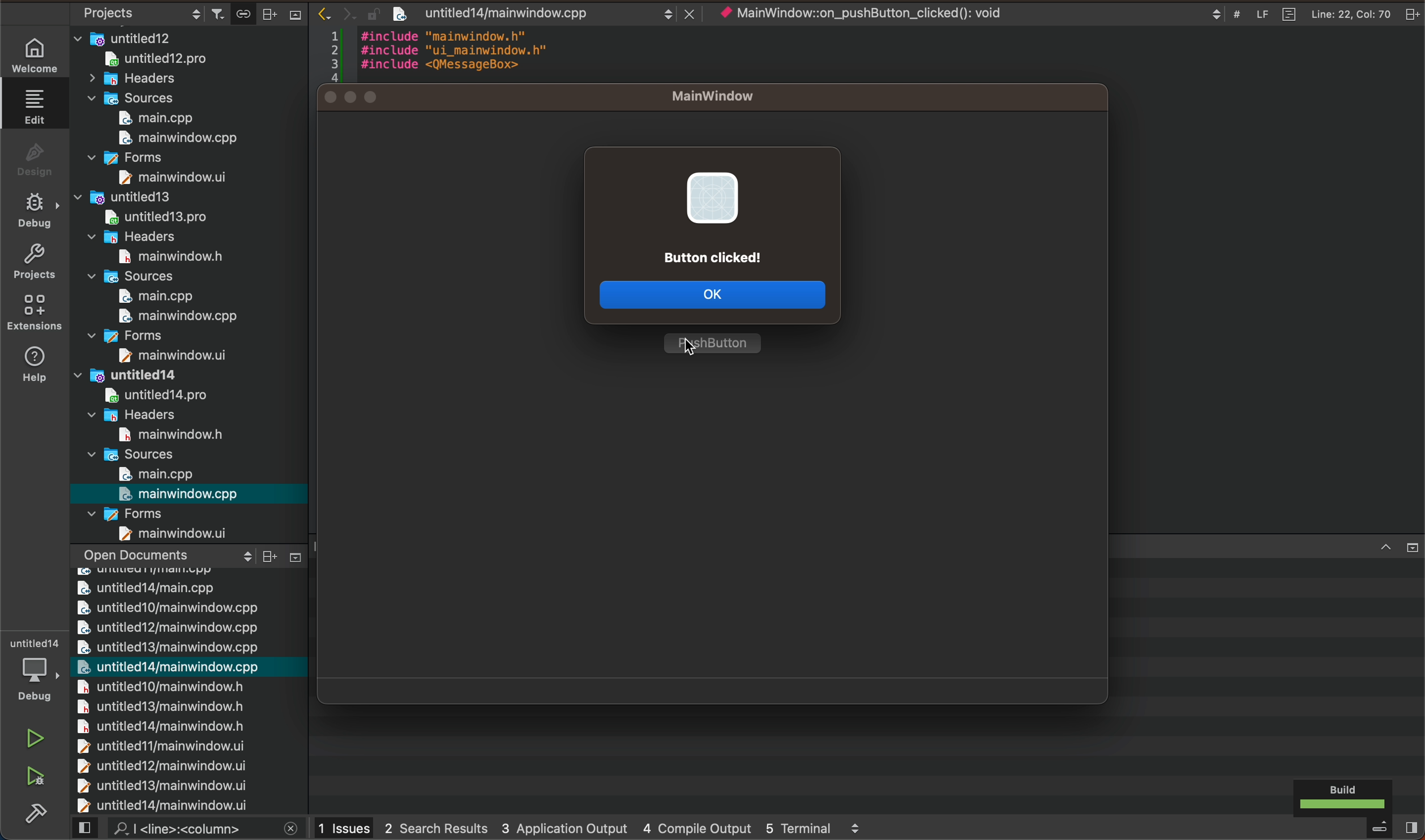  I want to click on untitled12, so click(190, 36).